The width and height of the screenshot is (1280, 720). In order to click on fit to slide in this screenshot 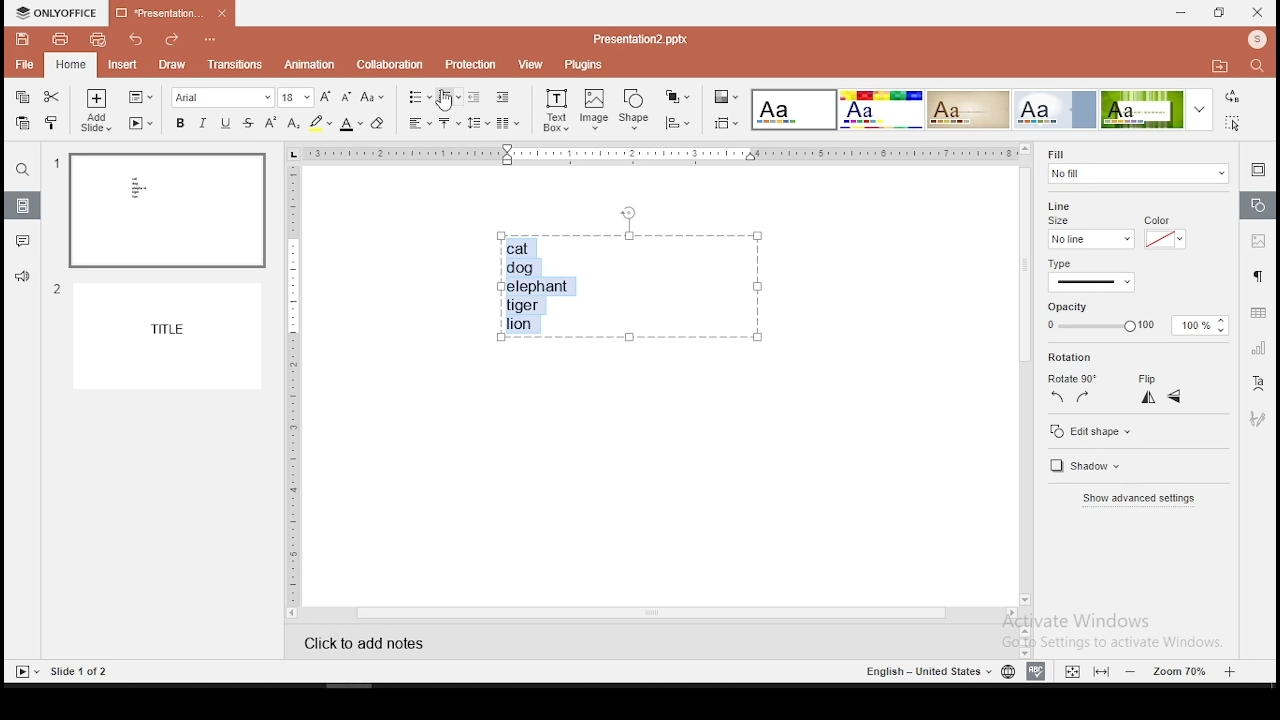, I will do `click(1100, 671)`.